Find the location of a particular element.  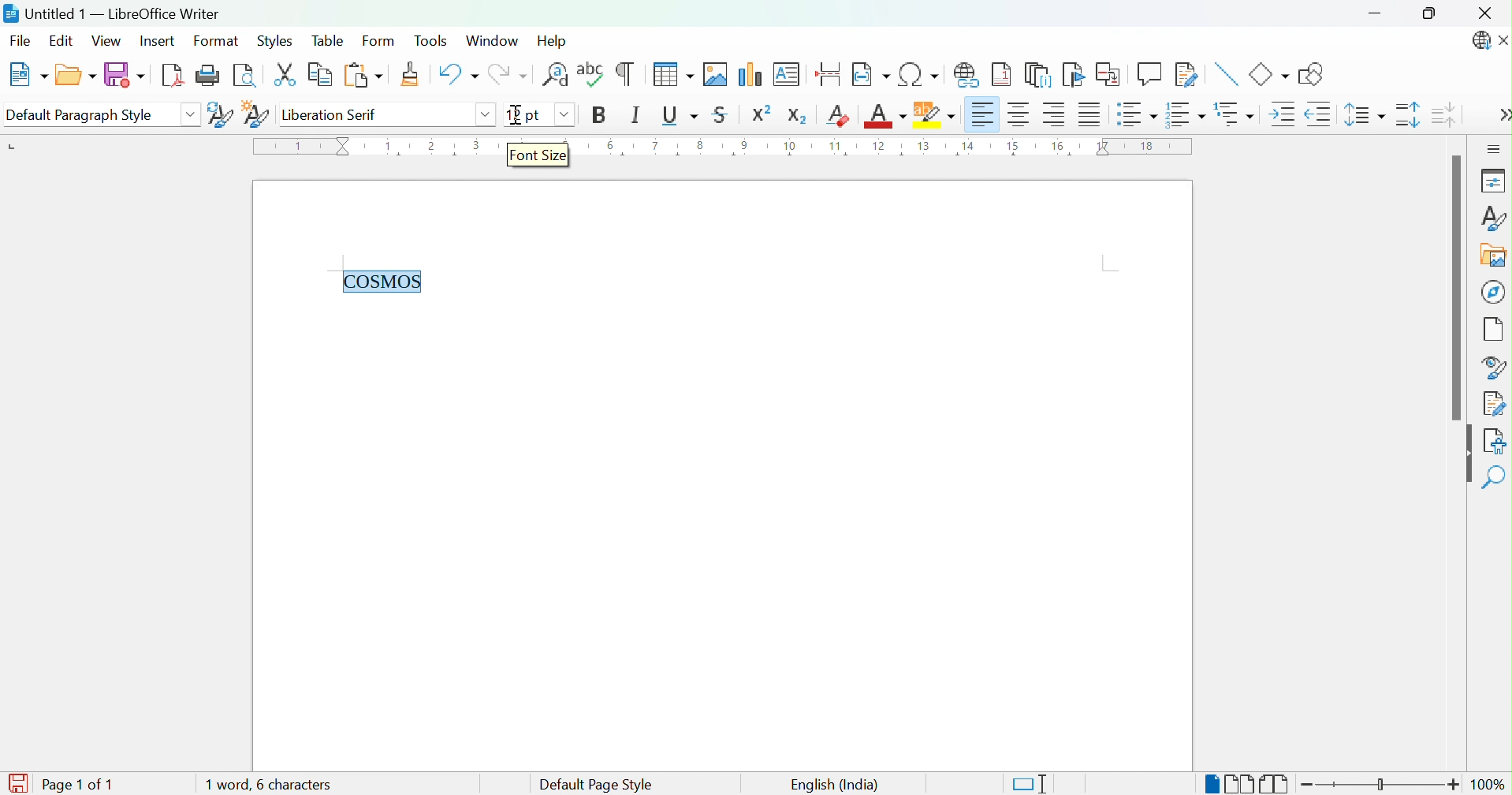

Decrease Indent is located at coordinates (1318, 116).